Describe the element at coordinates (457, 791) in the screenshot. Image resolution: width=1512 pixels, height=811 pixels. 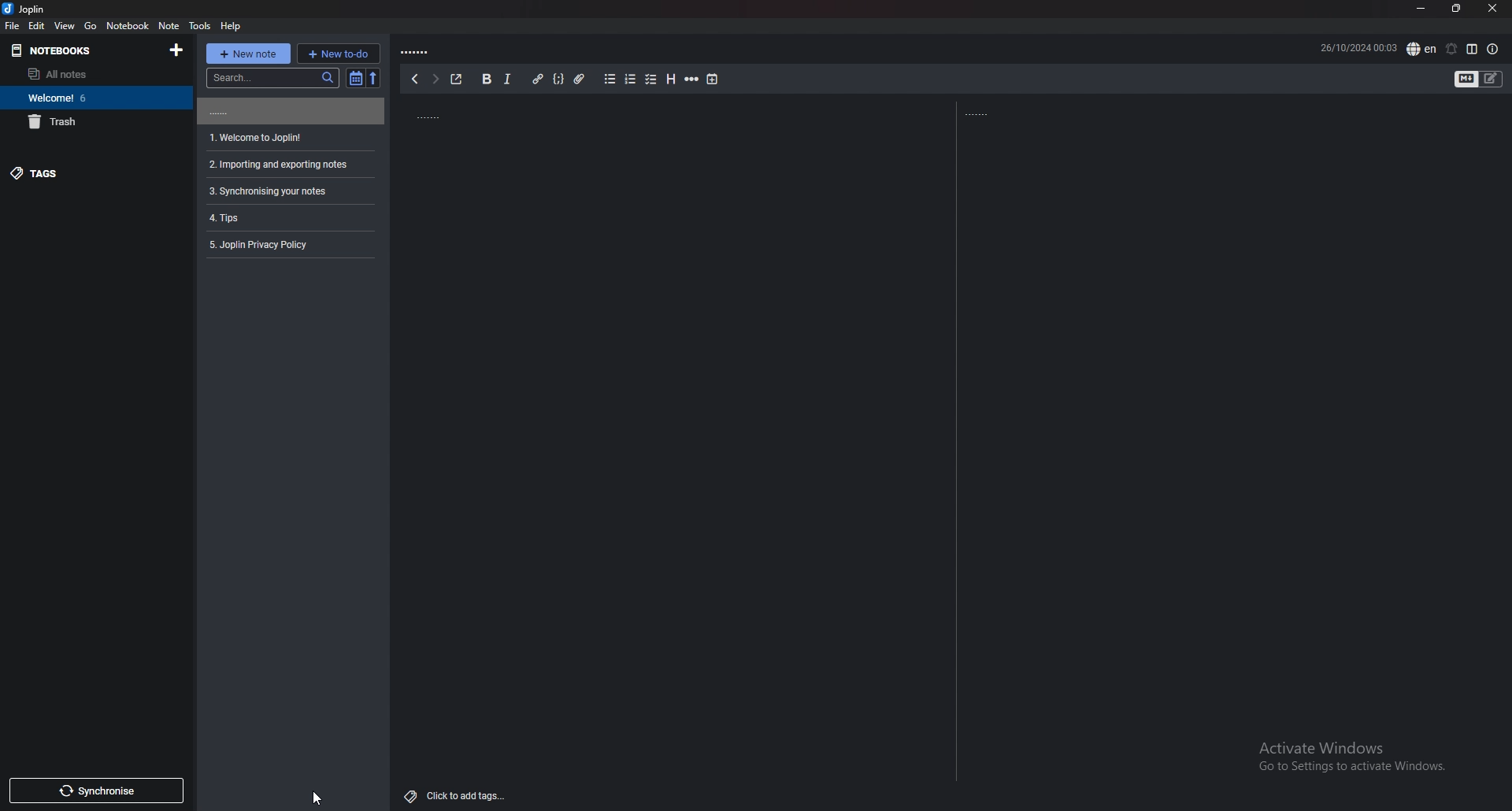
I see `Click to add tags...` at that location.